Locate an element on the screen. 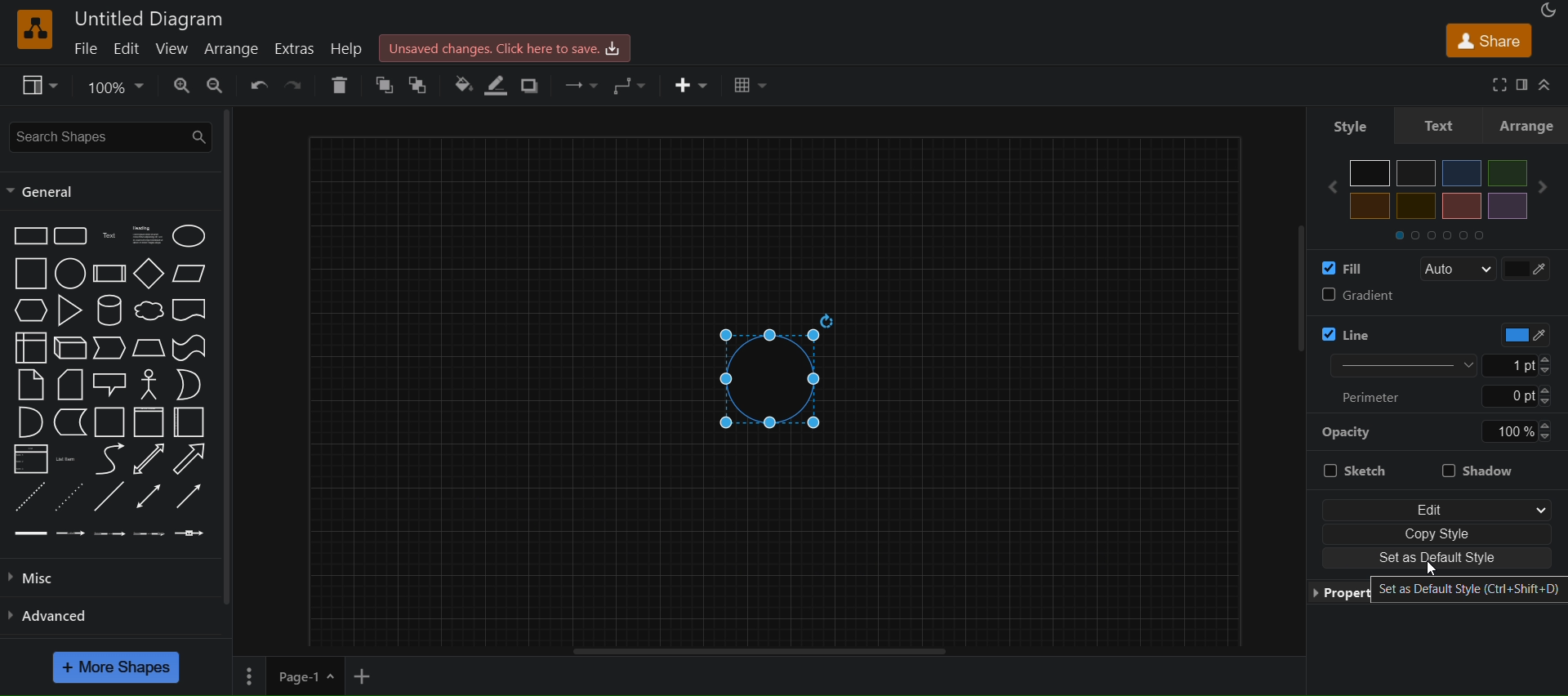 The width and height of the screenshot is (1568, 696). list is located at coordinates (29, 461).